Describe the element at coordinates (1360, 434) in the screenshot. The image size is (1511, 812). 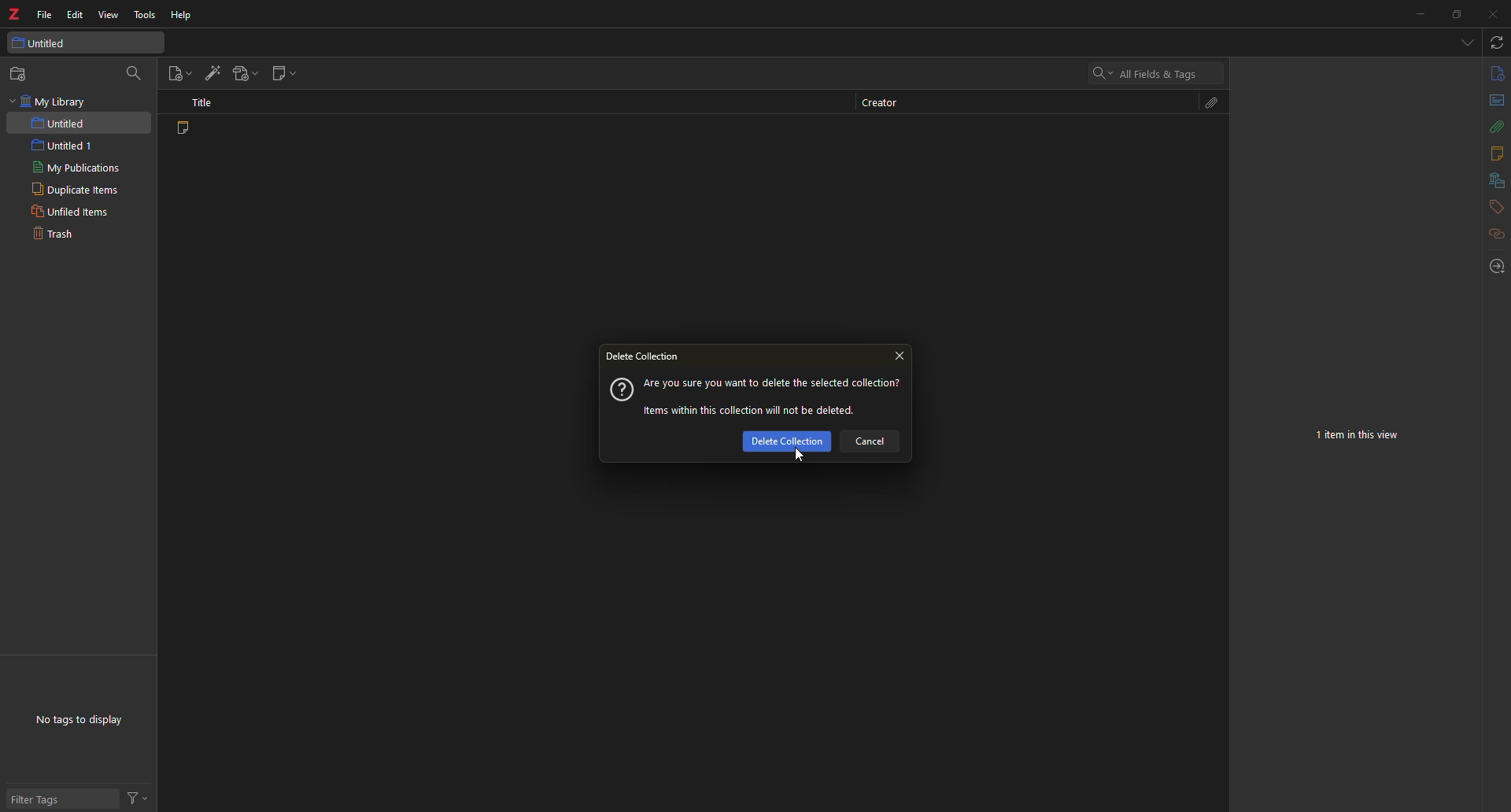
I see `no item` at that location.